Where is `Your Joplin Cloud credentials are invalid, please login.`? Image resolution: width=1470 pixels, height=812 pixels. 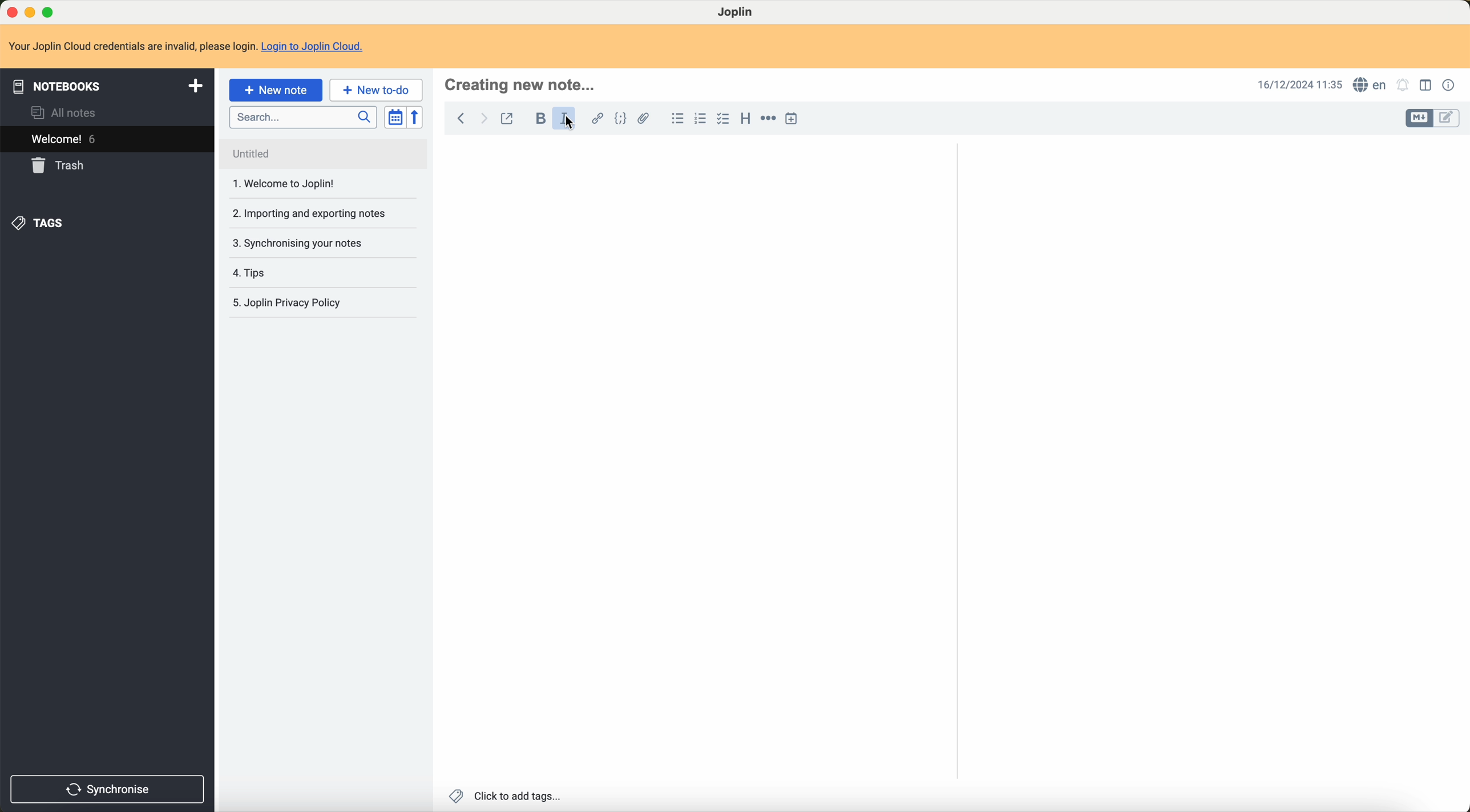 Your Joplin Cloud credentials are invalid, please login. is located at coordinates (131, 45).